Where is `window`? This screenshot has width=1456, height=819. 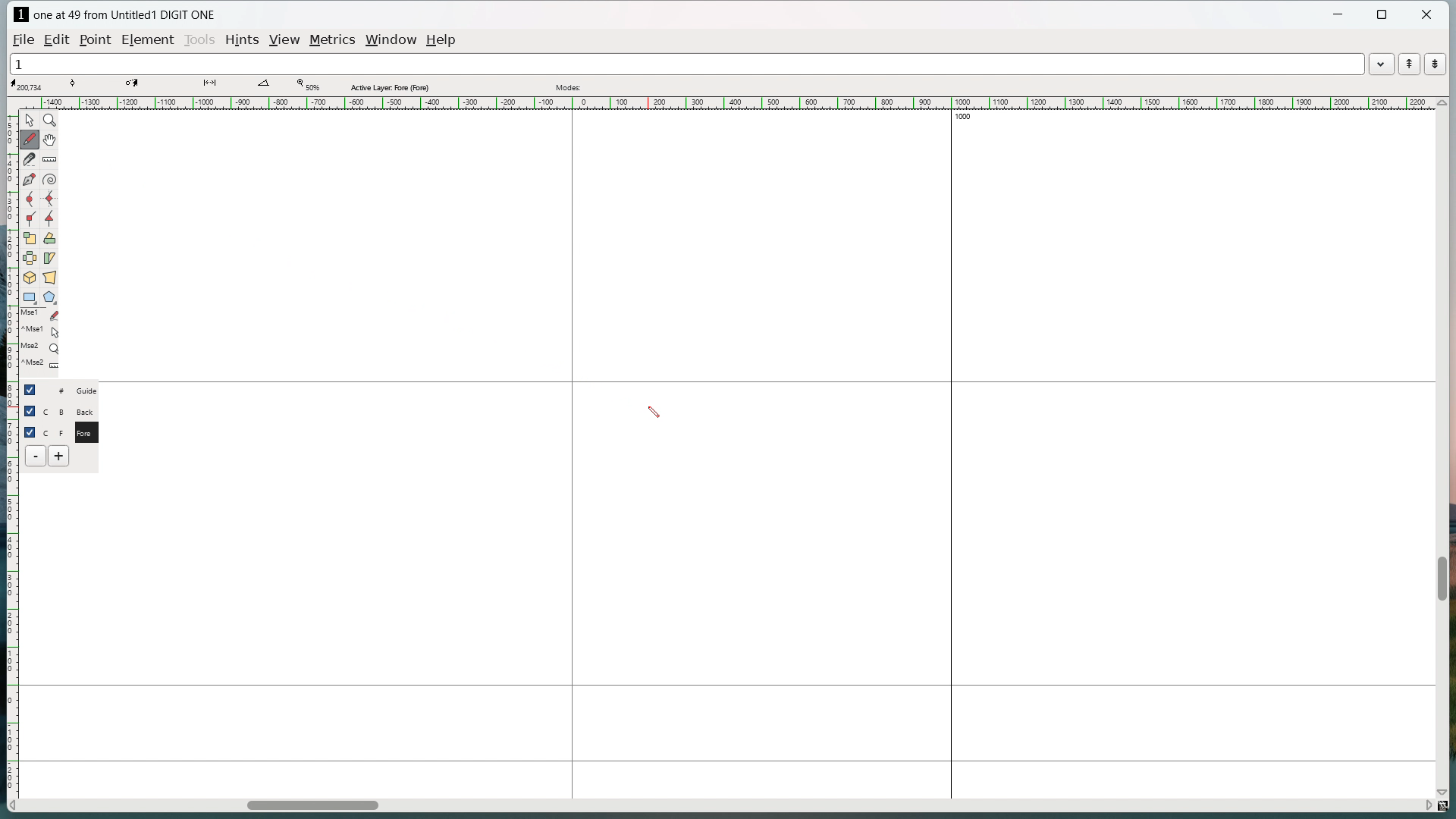 window is located at coordinates (393, 39).